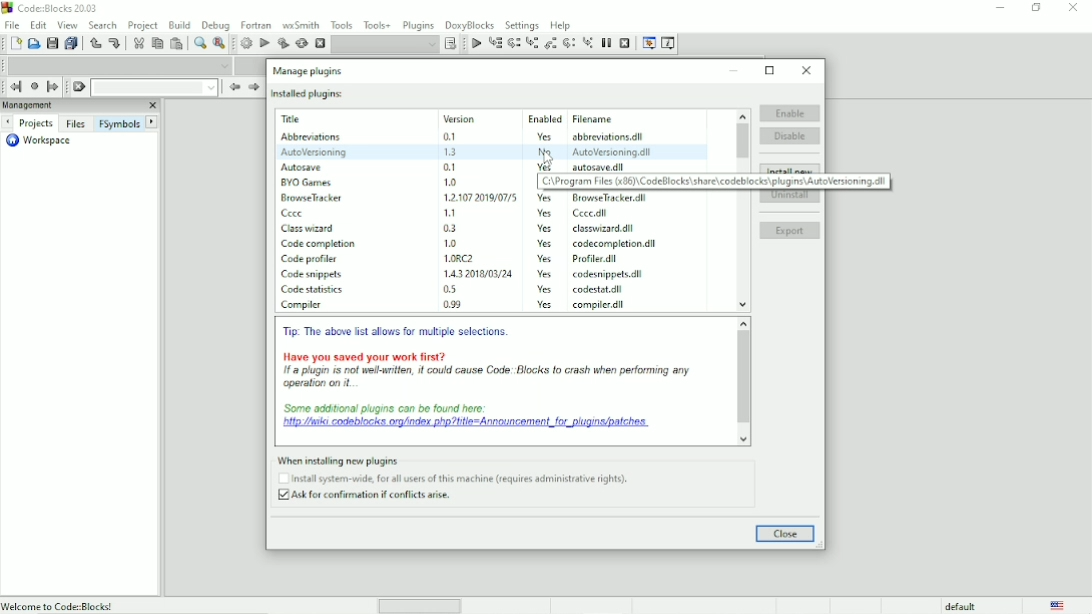  Describe the element at coordinates (471, 418) in the screenshot. I see `Link for additional plugins` at that location.